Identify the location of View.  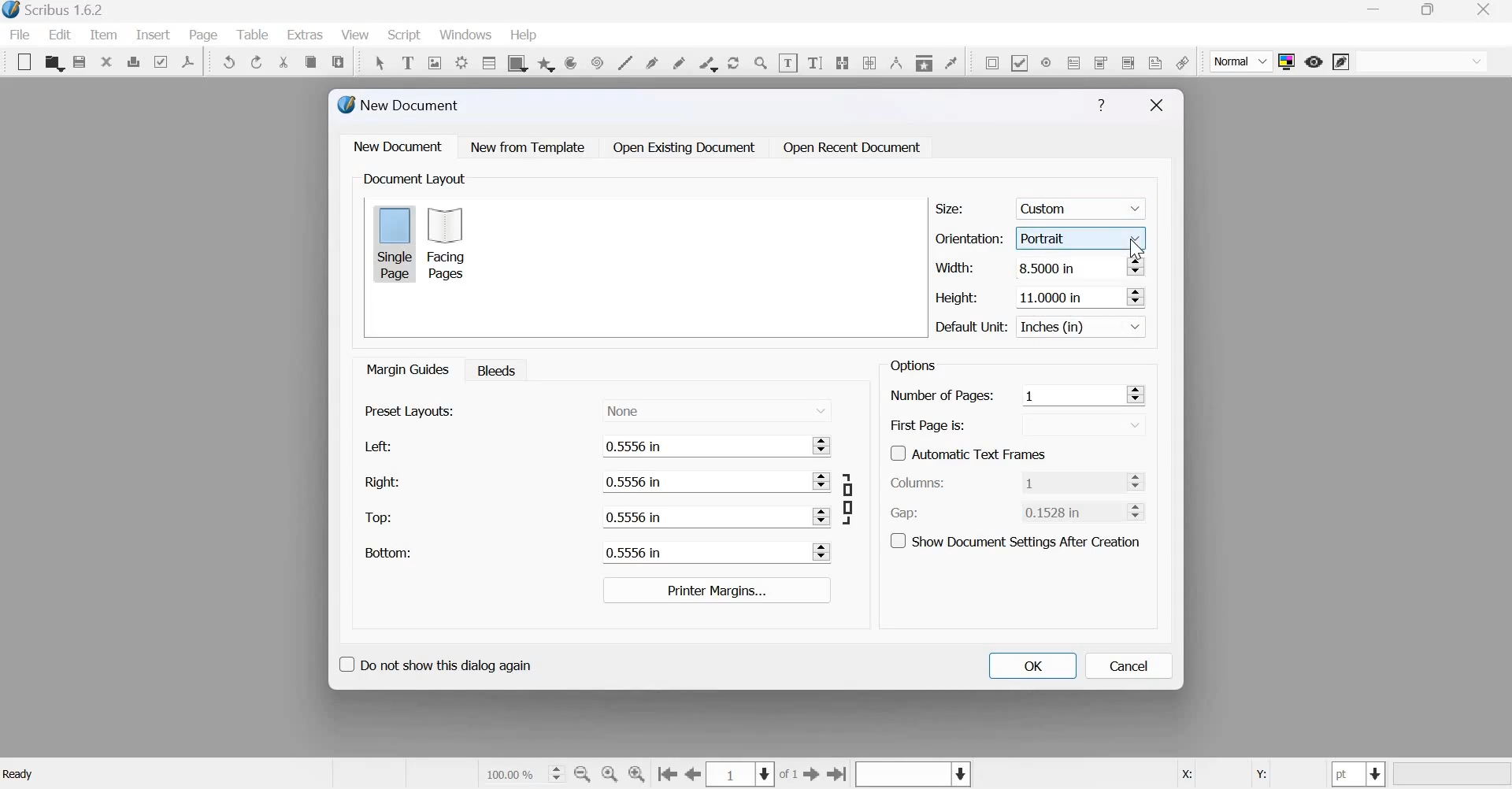
(357, 35).